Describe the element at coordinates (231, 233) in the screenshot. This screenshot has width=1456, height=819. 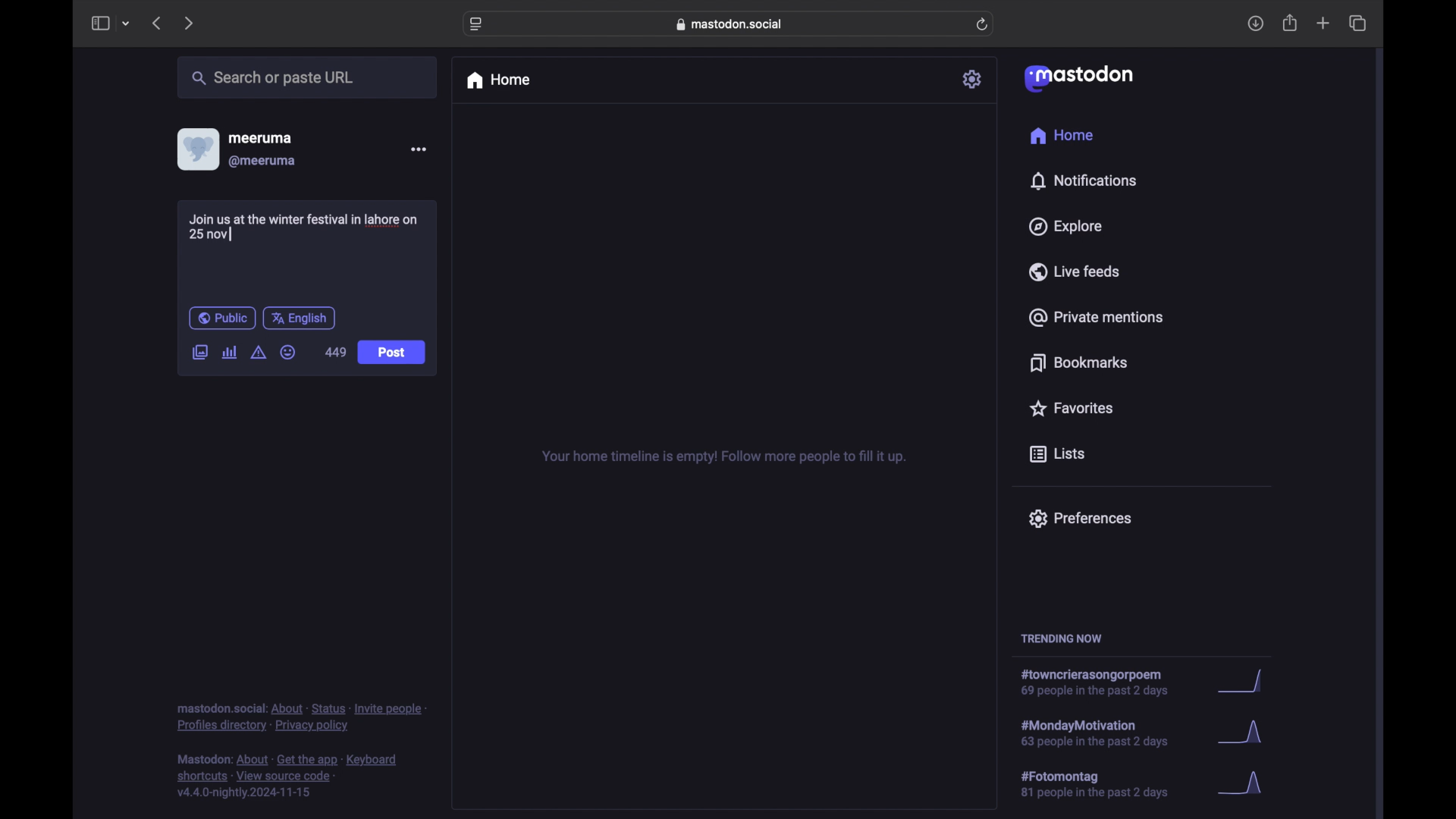
I see `text cursor` at that location.